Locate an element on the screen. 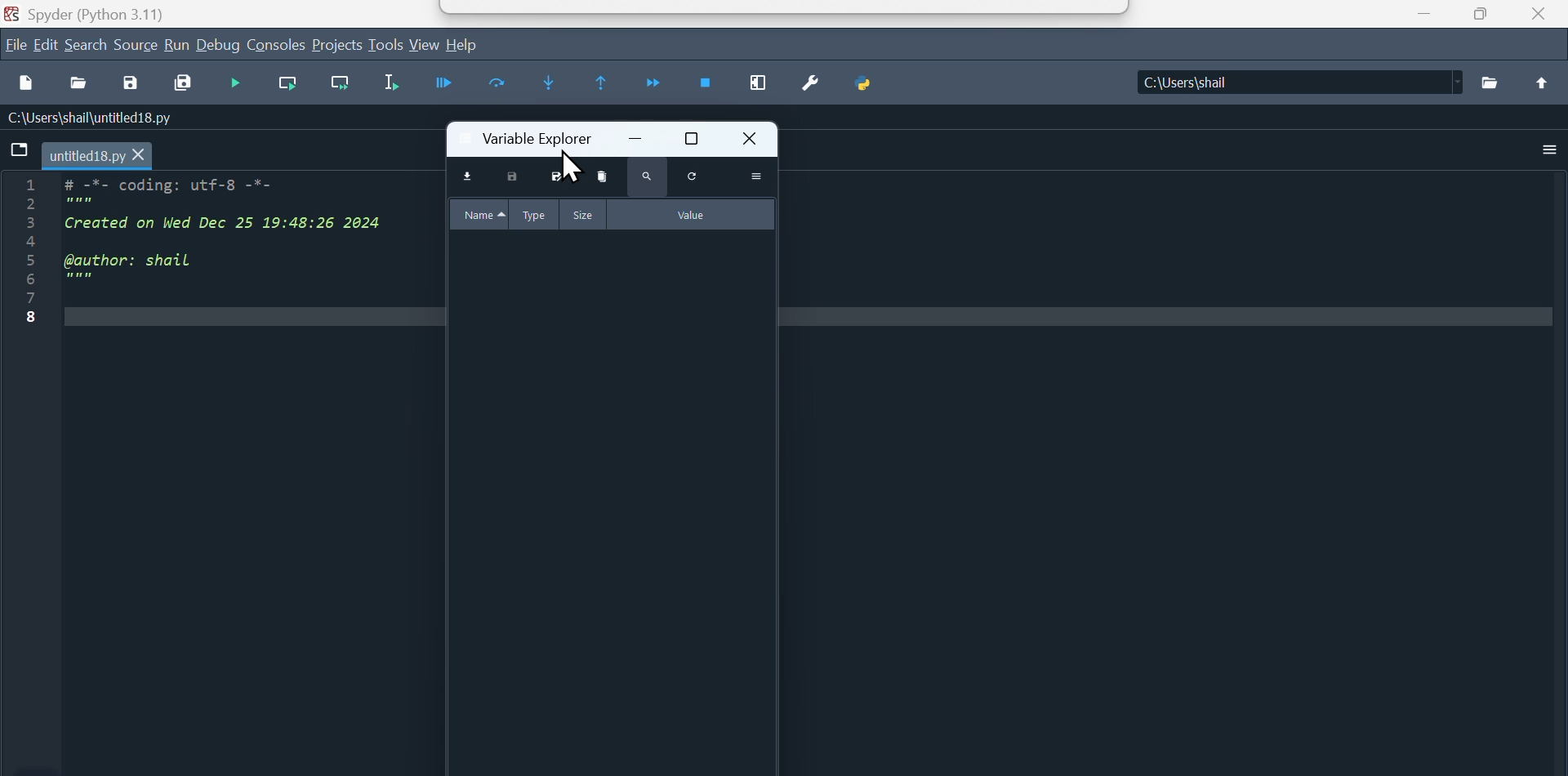 The height and width of the screenshot is (776, 1568). more actions is located at coordinates (755, 176).